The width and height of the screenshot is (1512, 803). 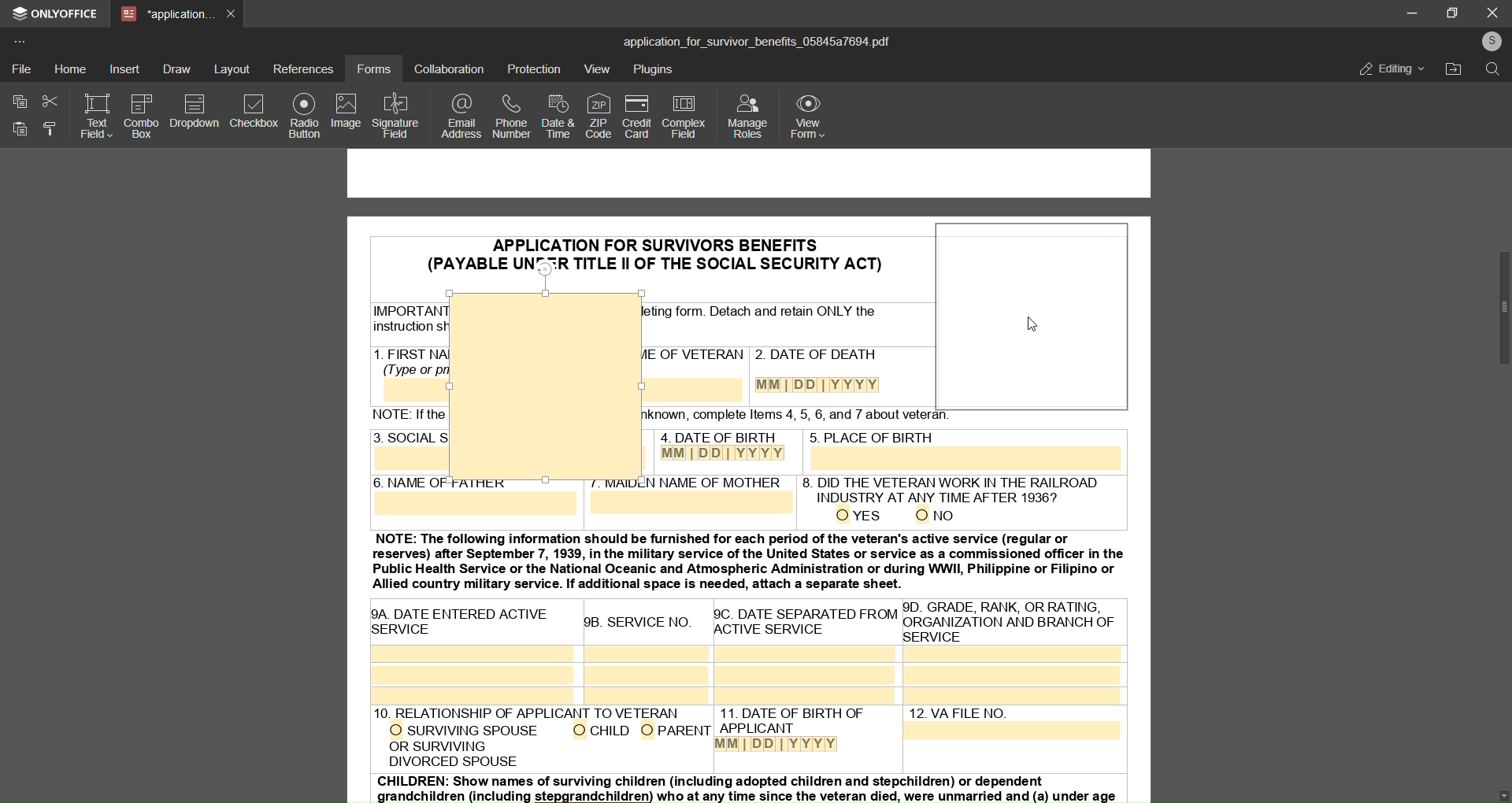 I want to click on phone number, so click(x=509, y=118).